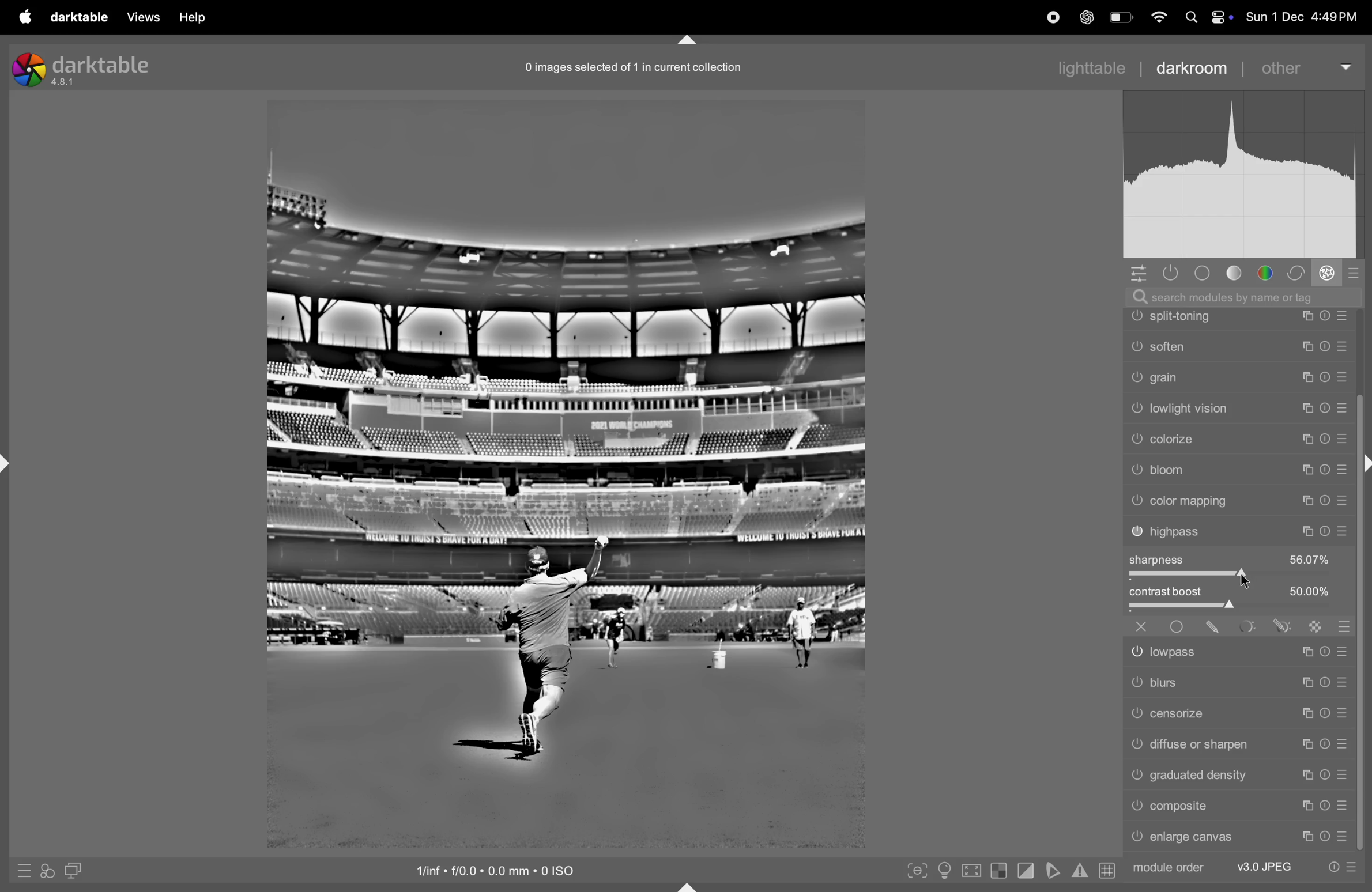 This screenshot has height=892, width=1372. I want to click on wifi, so click(1158, 18).